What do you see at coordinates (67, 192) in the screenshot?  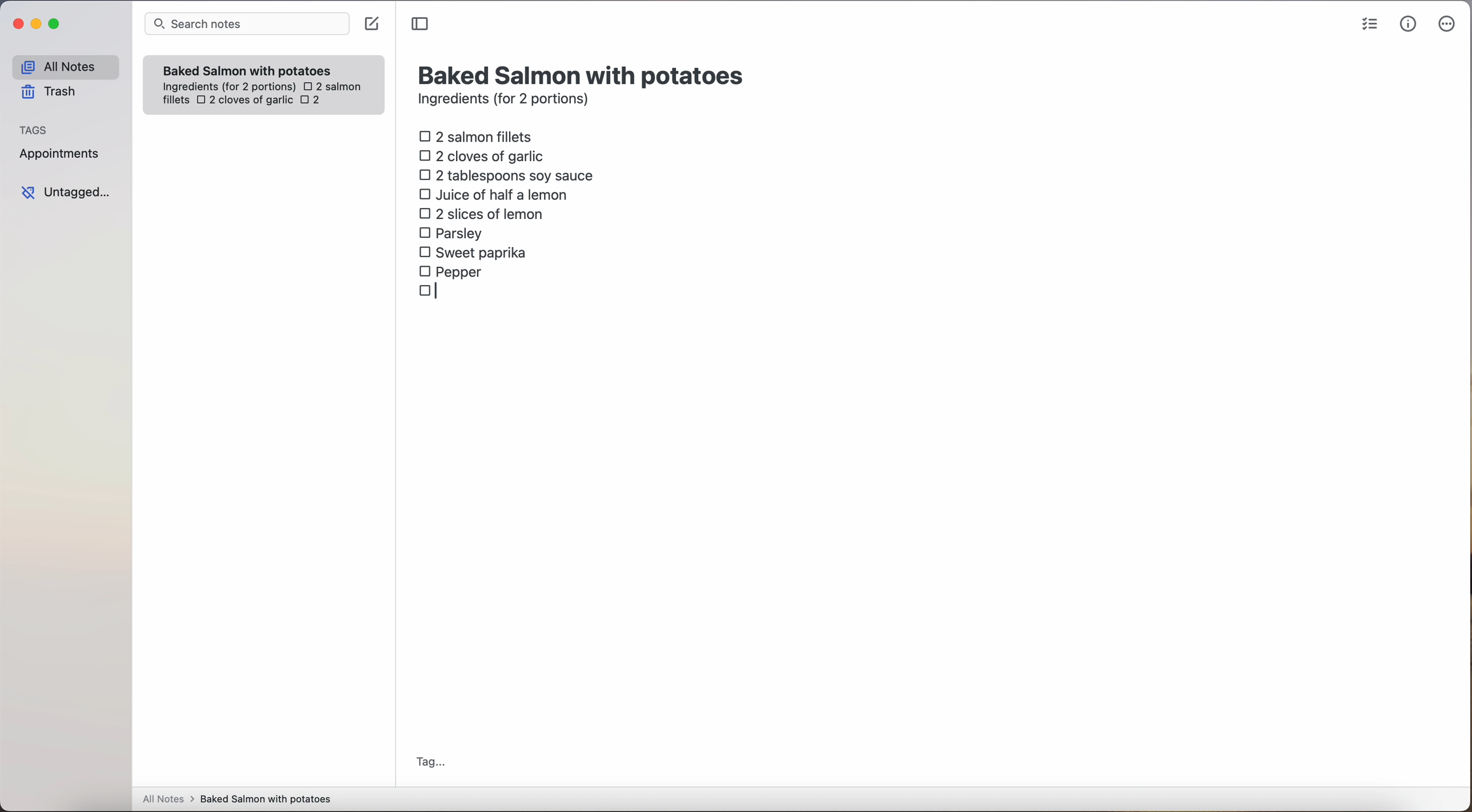 I see `untagged` at bounding box center [67, 192].